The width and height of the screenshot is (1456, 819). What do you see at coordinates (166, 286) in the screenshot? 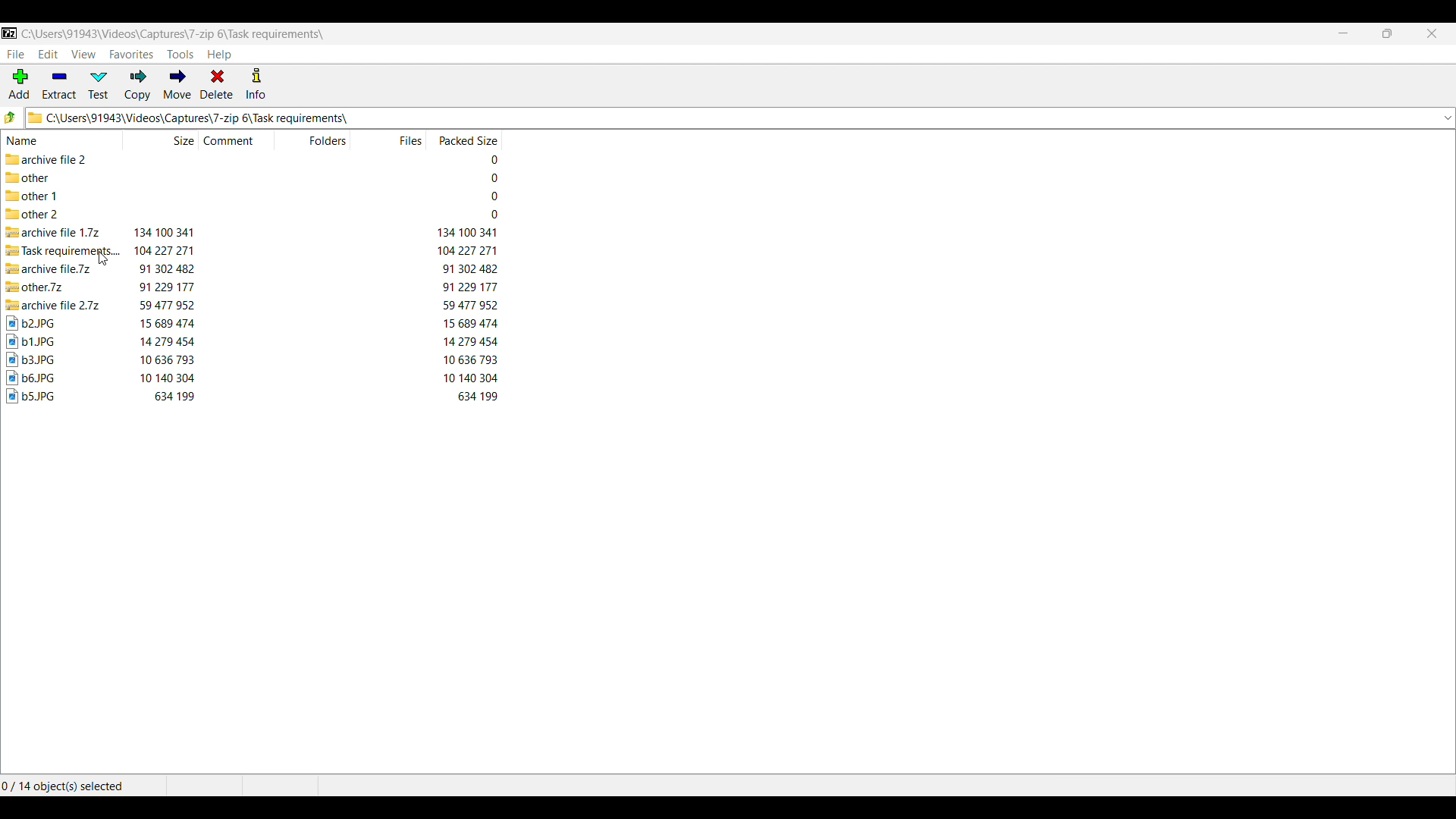
I see `` at bounding box center [166, 286].